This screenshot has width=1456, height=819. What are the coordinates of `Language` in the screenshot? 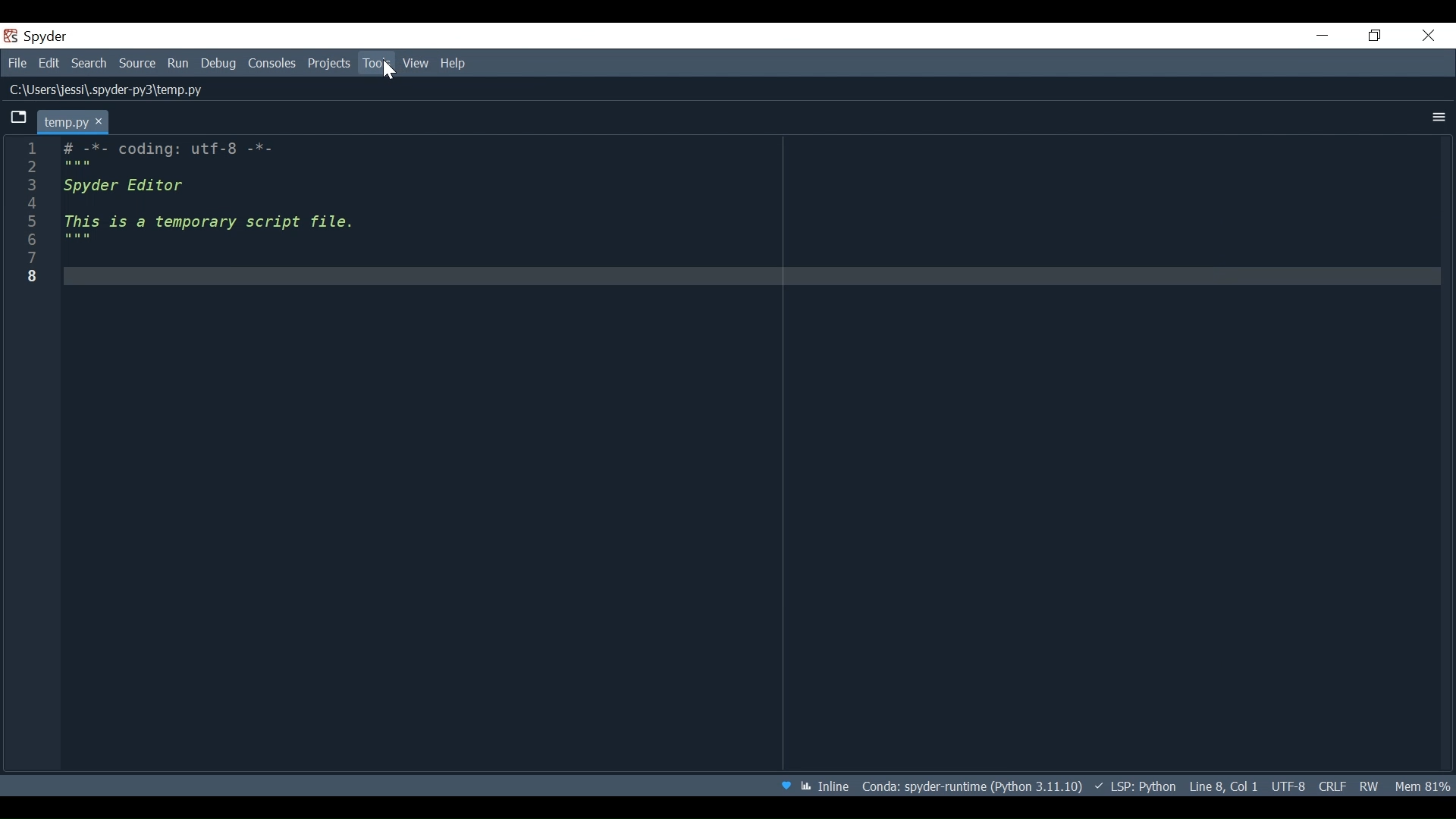 It's located at (1134, 786).